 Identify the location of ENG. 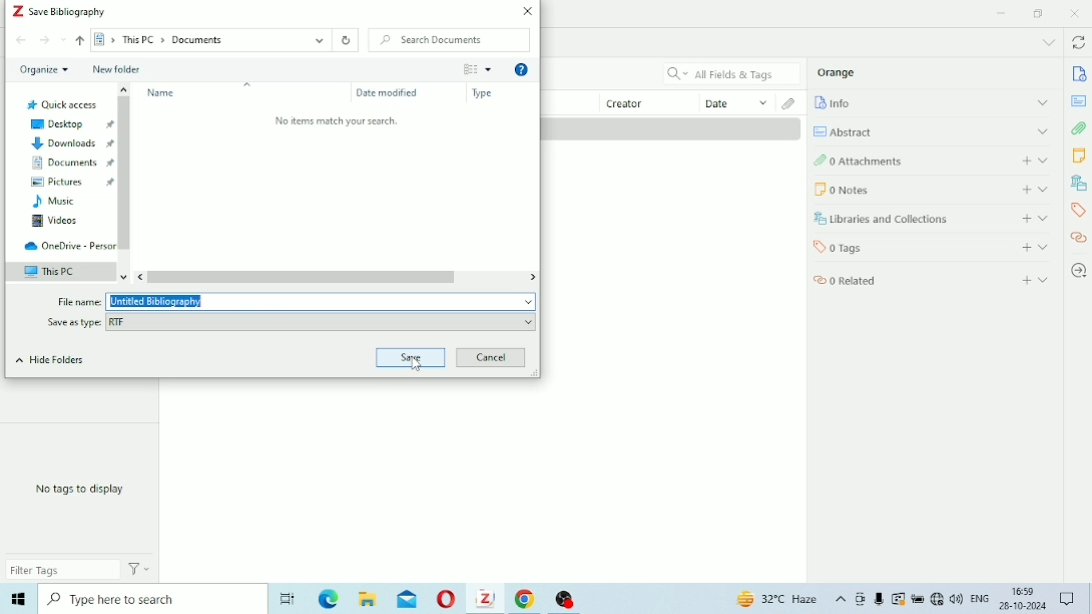
(980, 597).